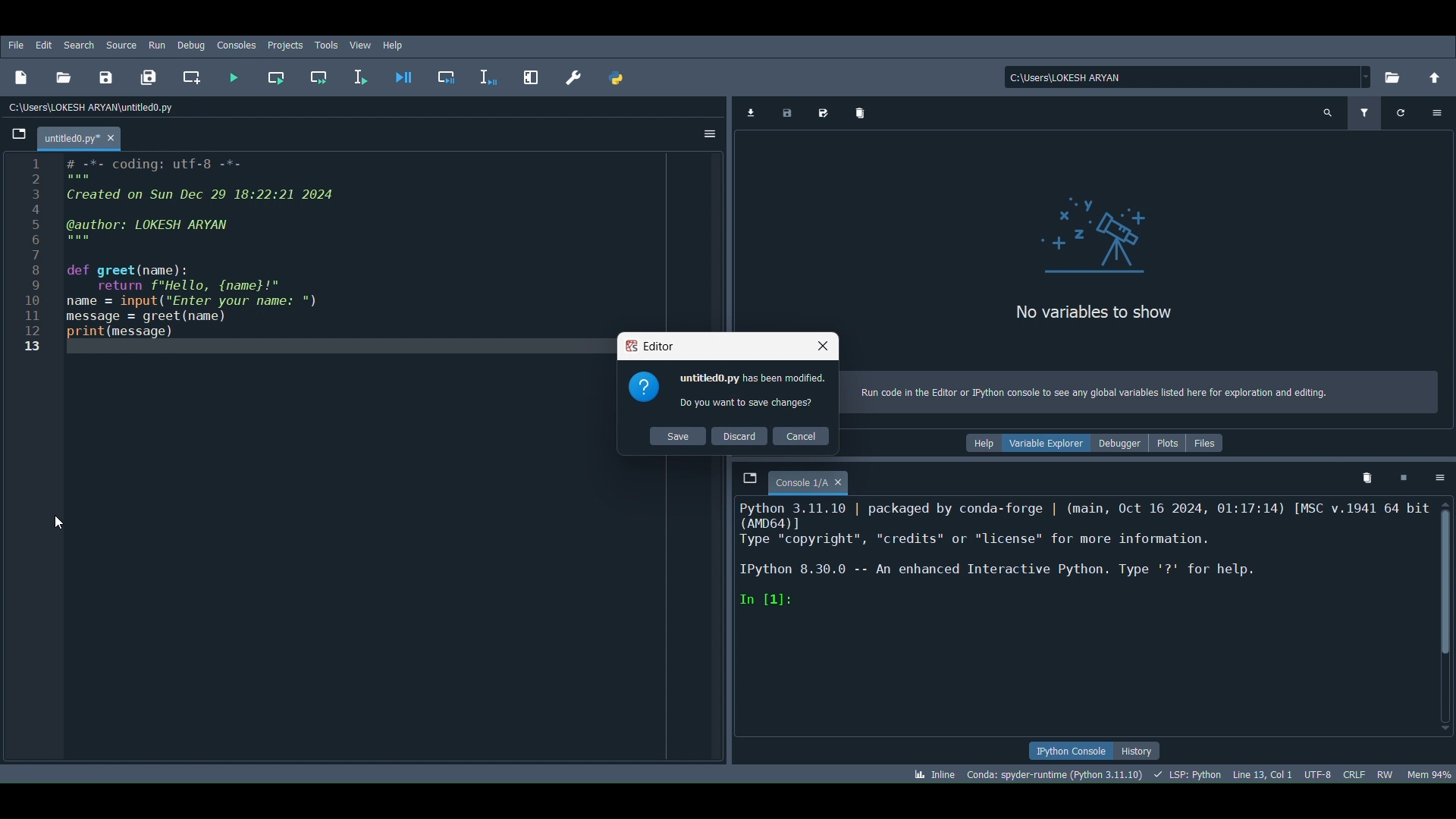 This screenshot has height=819, width=1456. I want to click on File permissions, so click(1385, 773).